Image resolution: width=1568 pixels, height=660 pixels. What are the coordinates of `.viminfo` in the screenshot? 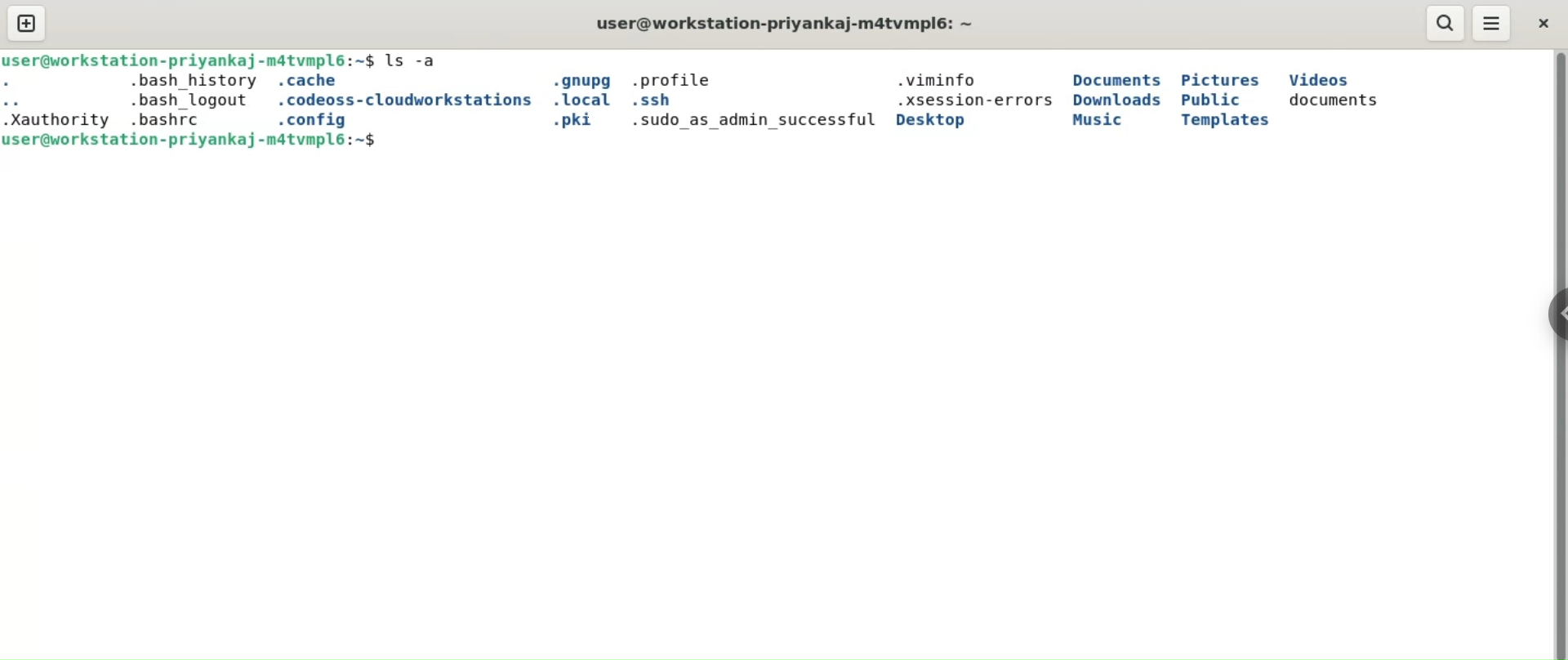 It's located at (939, 80).